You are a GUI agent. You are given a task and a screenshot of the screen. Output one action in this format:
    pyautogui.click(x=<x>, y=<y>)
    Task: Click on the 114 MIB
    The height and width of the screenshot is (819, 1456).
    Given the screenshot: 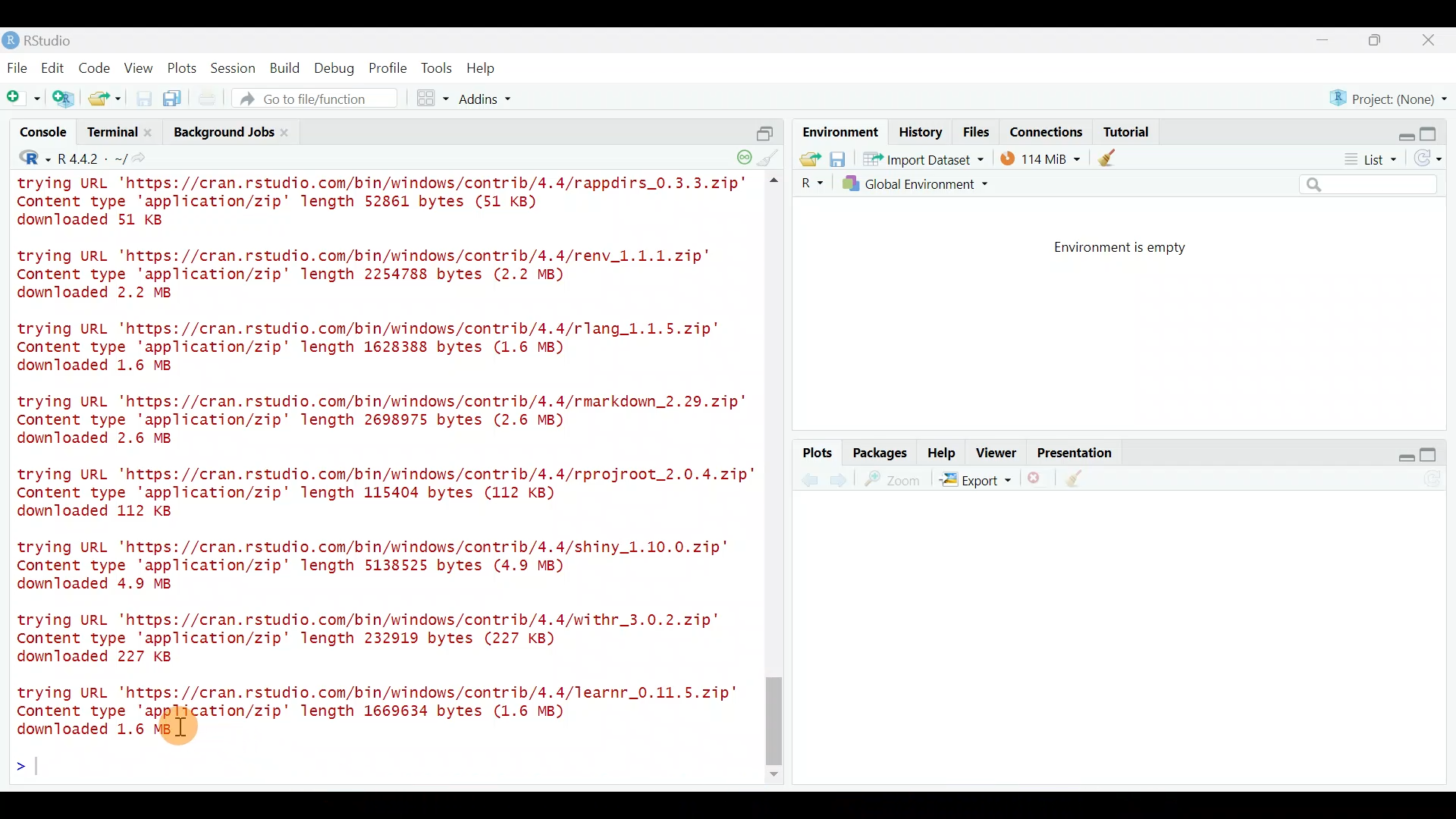 What is the action you would take?
    pyautogui.click(x=1040, y=158)
    